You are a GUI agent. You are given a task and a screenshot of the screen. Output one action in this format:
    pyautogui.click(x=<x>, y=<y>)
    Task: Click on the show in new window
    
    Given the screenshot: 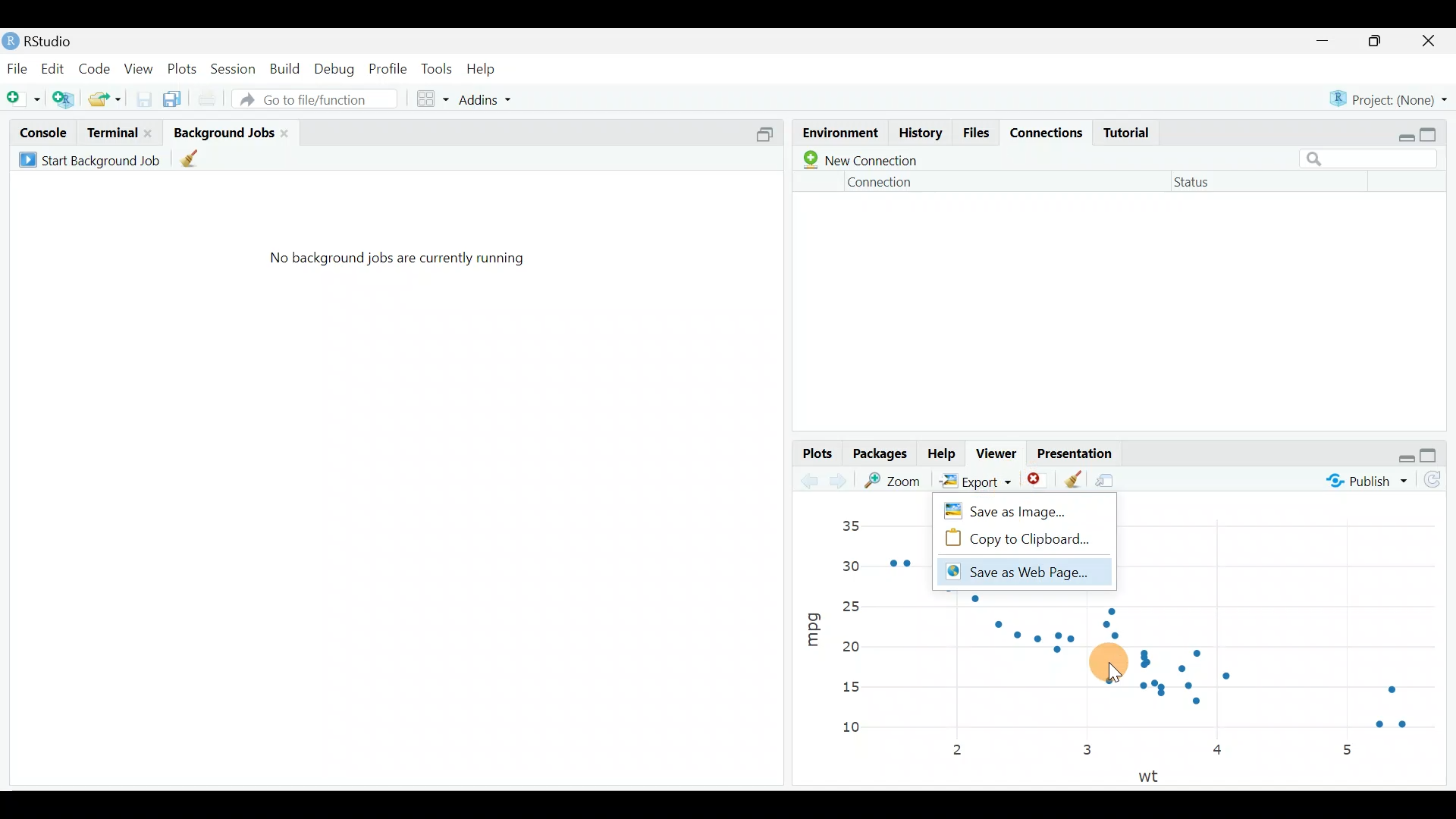 What is the action you would take?
    pyautogui.click(x=1111, y=477)
    